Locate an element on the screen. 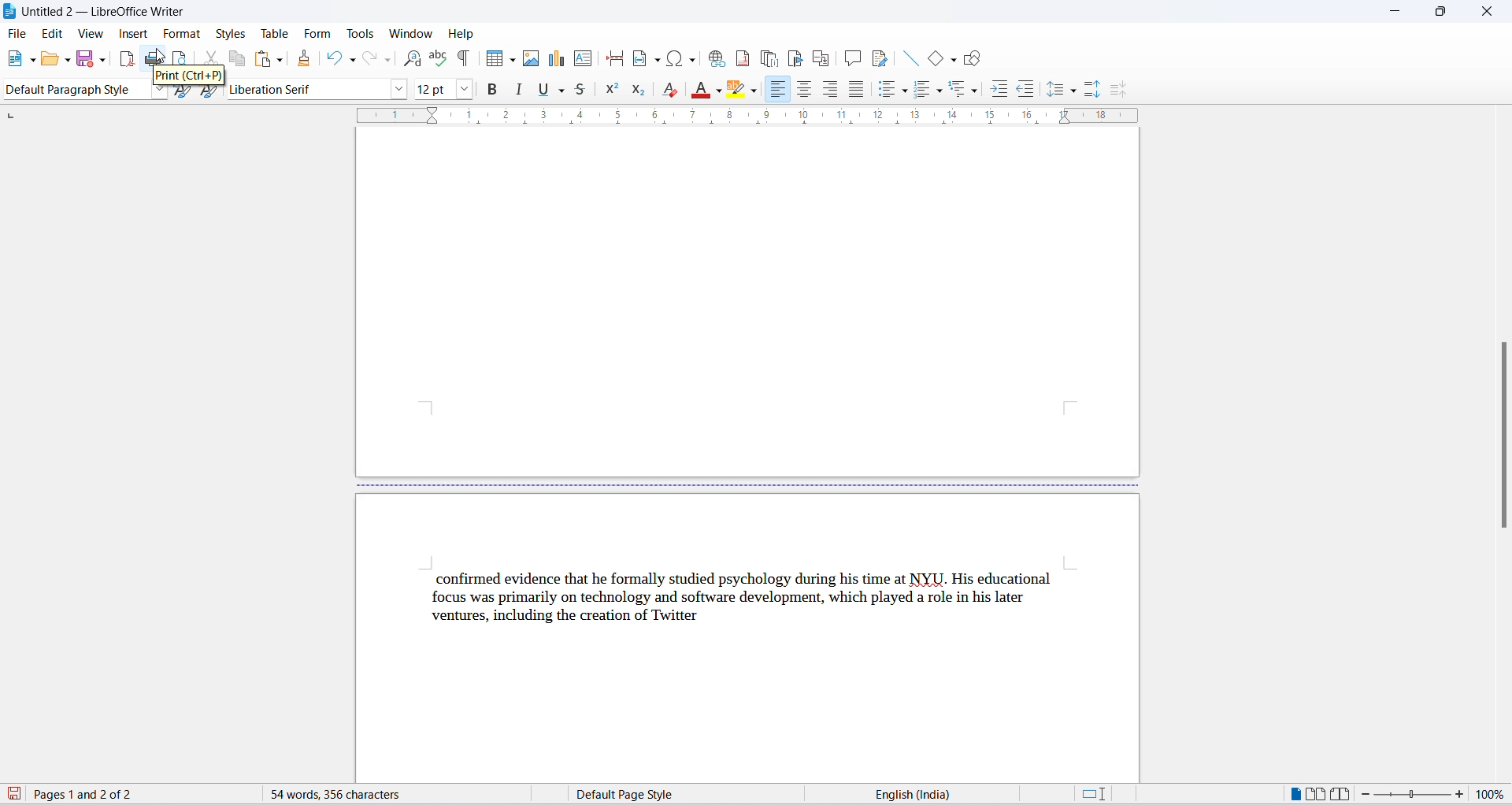 The width and height of the screenshot is (1512, 805). tools is located at coordinates (361, 34).